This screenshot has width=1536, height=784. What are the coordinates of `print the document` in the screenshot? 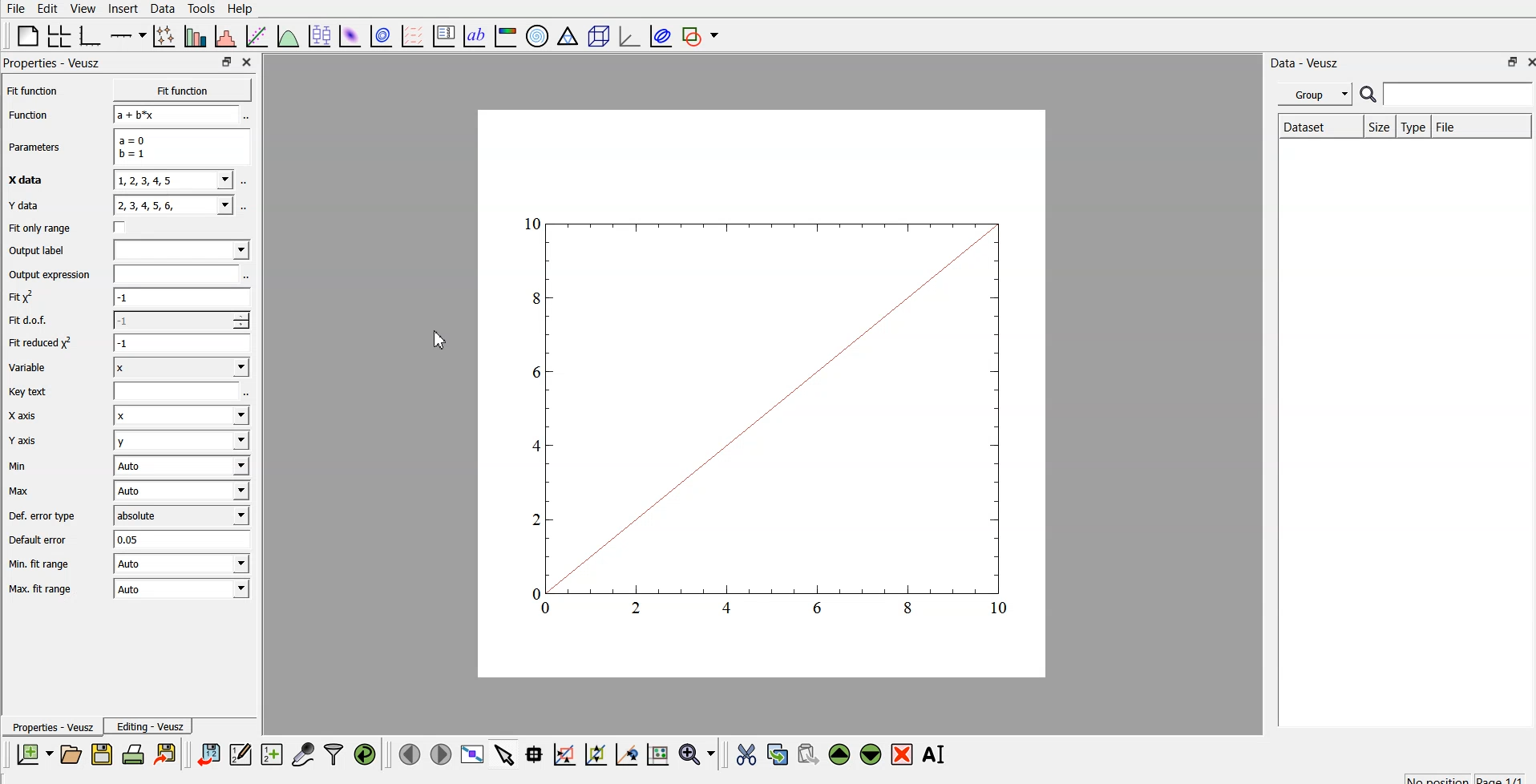 It's located at (166, 754).